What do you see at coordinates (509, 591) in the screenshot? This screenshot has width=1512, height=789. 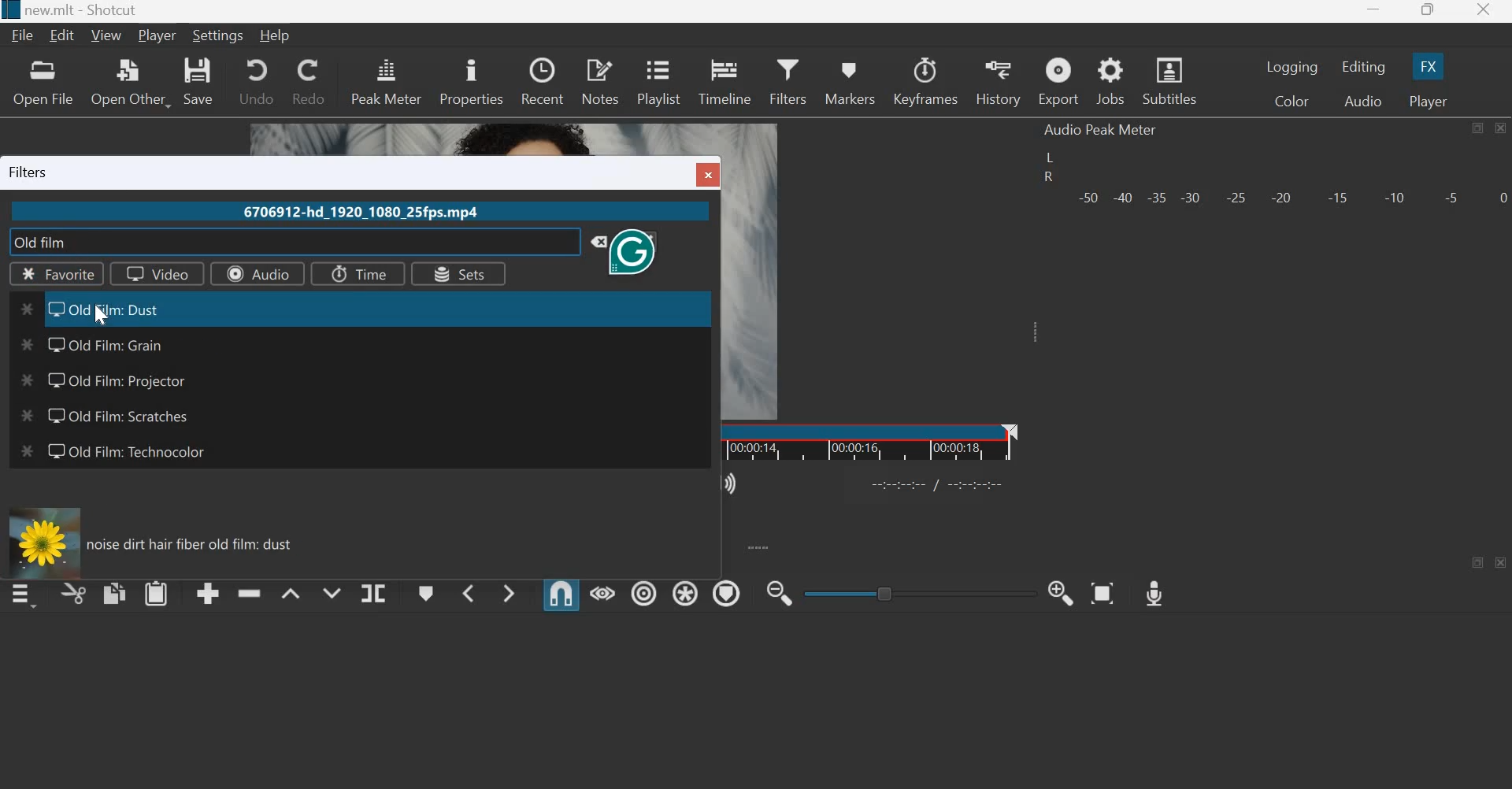 I see `Next Marker` at bounding box center [509, 591].